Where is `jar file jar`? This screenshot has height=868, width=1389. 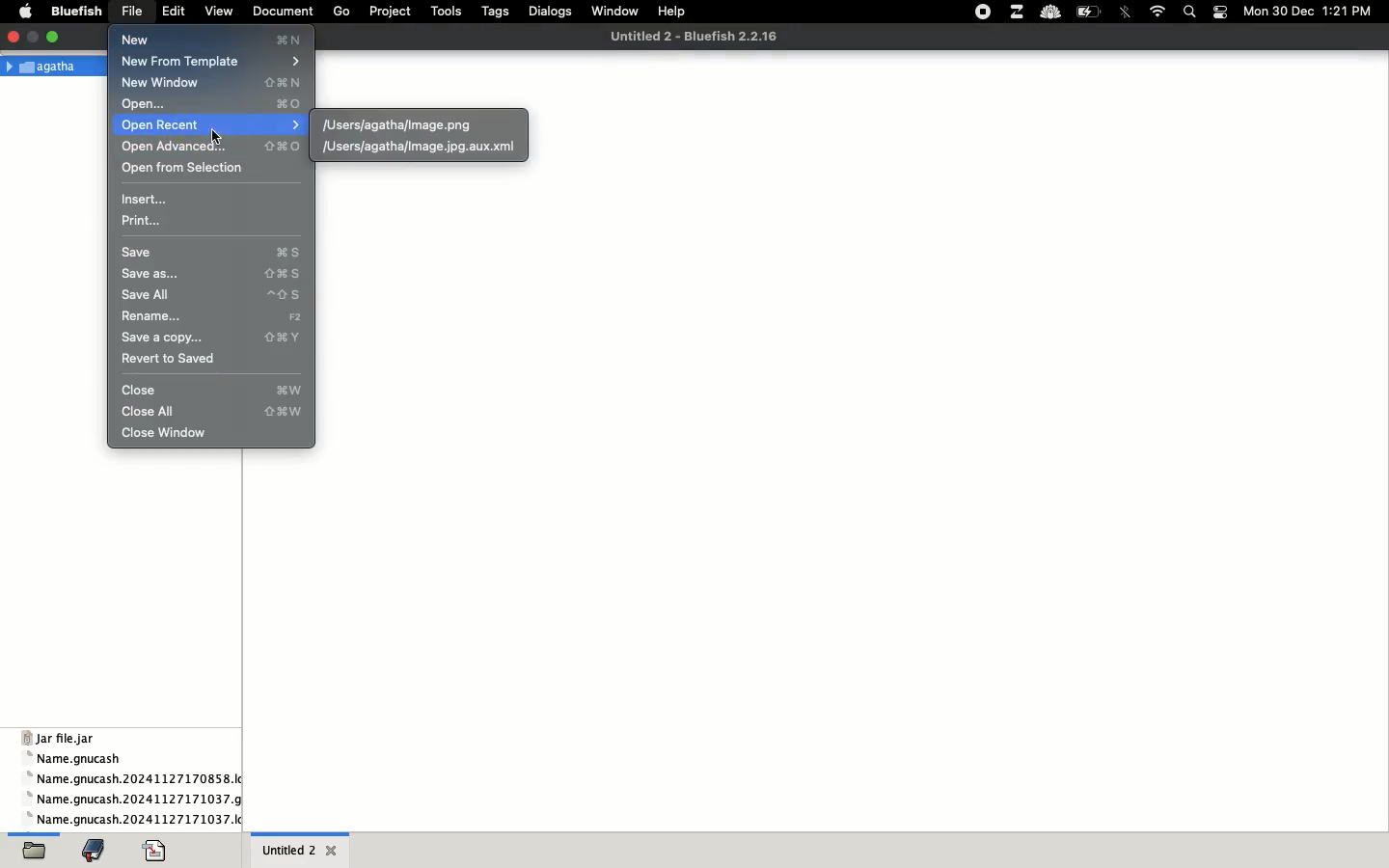 jar file jar is located at coordinates (59, 736).